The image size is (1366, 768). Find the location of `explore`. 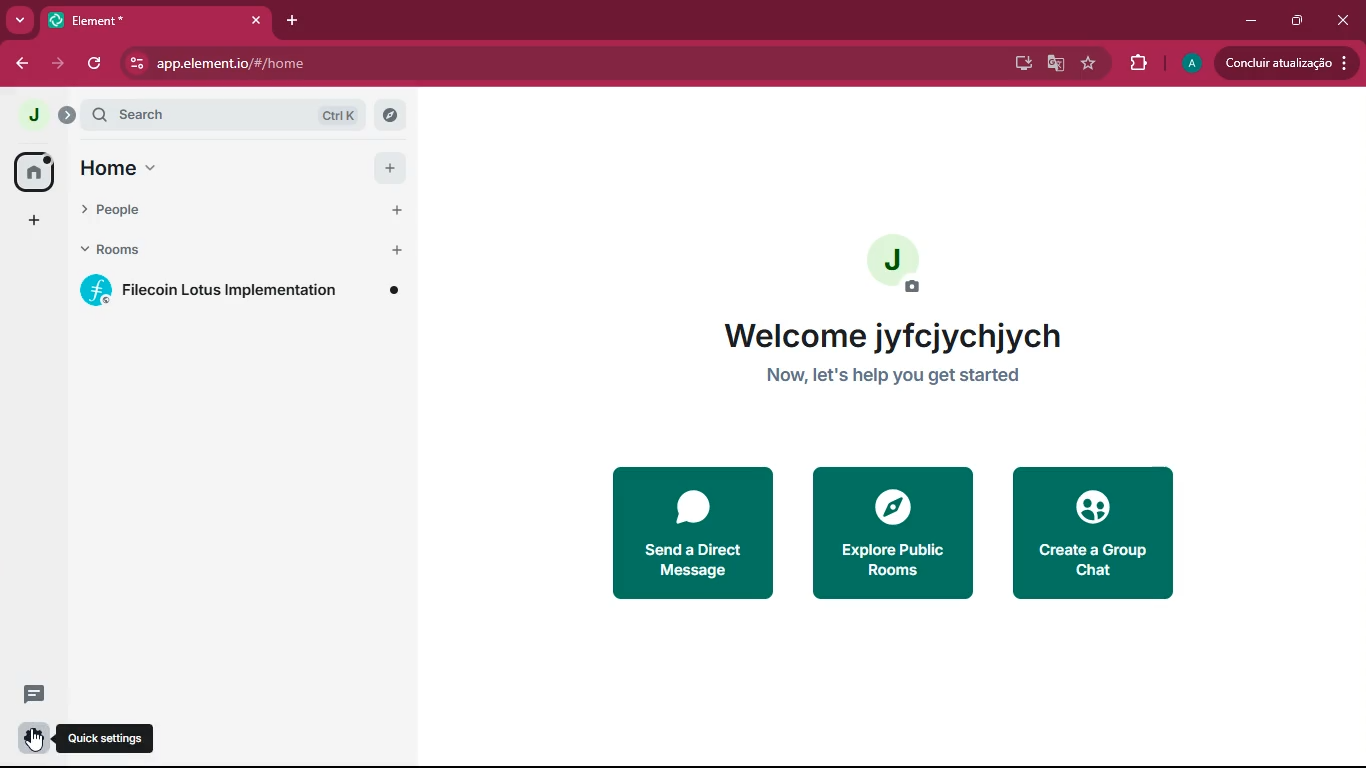

explore is located at coordinates (389, 115).